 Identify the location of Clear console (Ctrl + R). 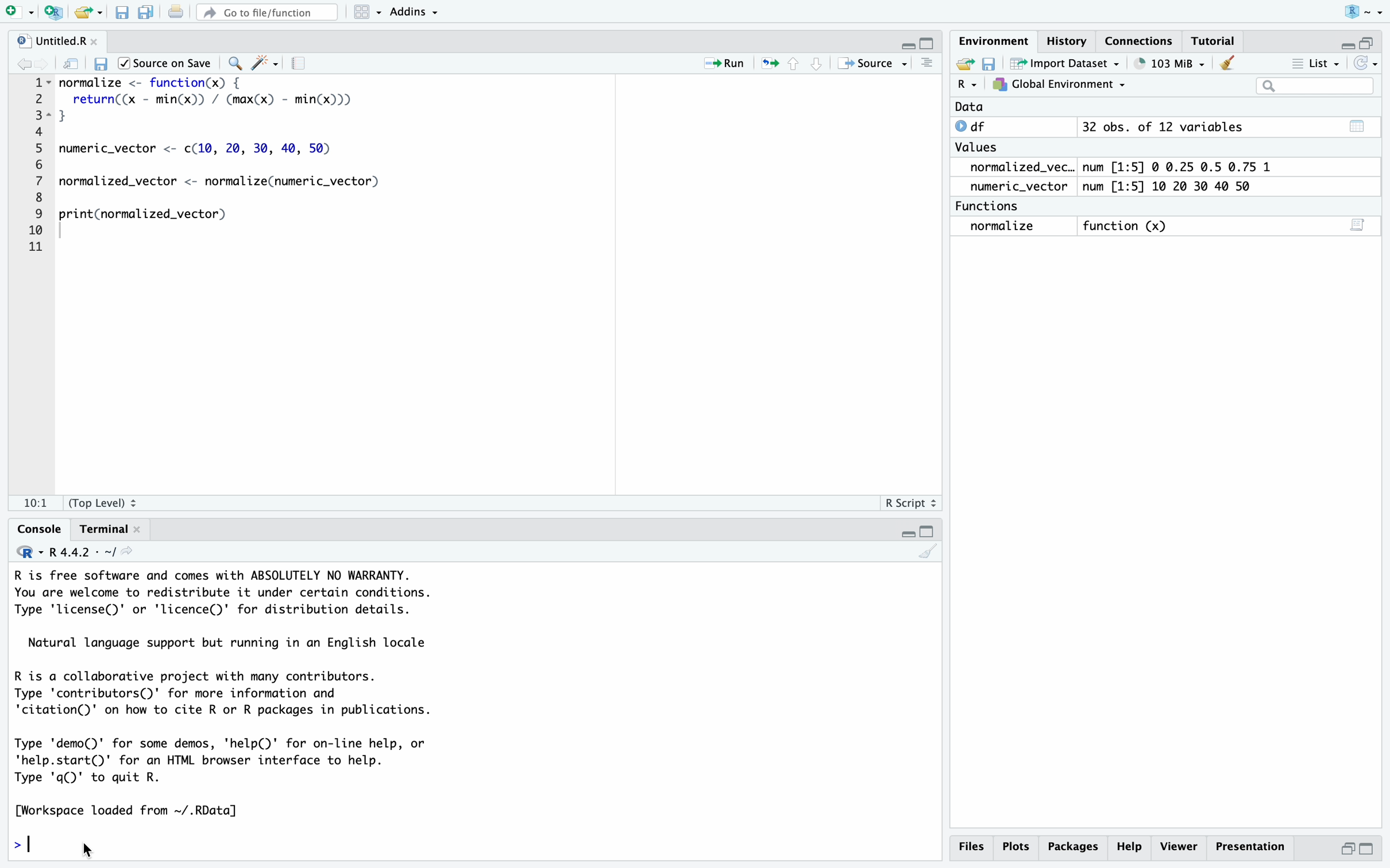
(1227, 65).